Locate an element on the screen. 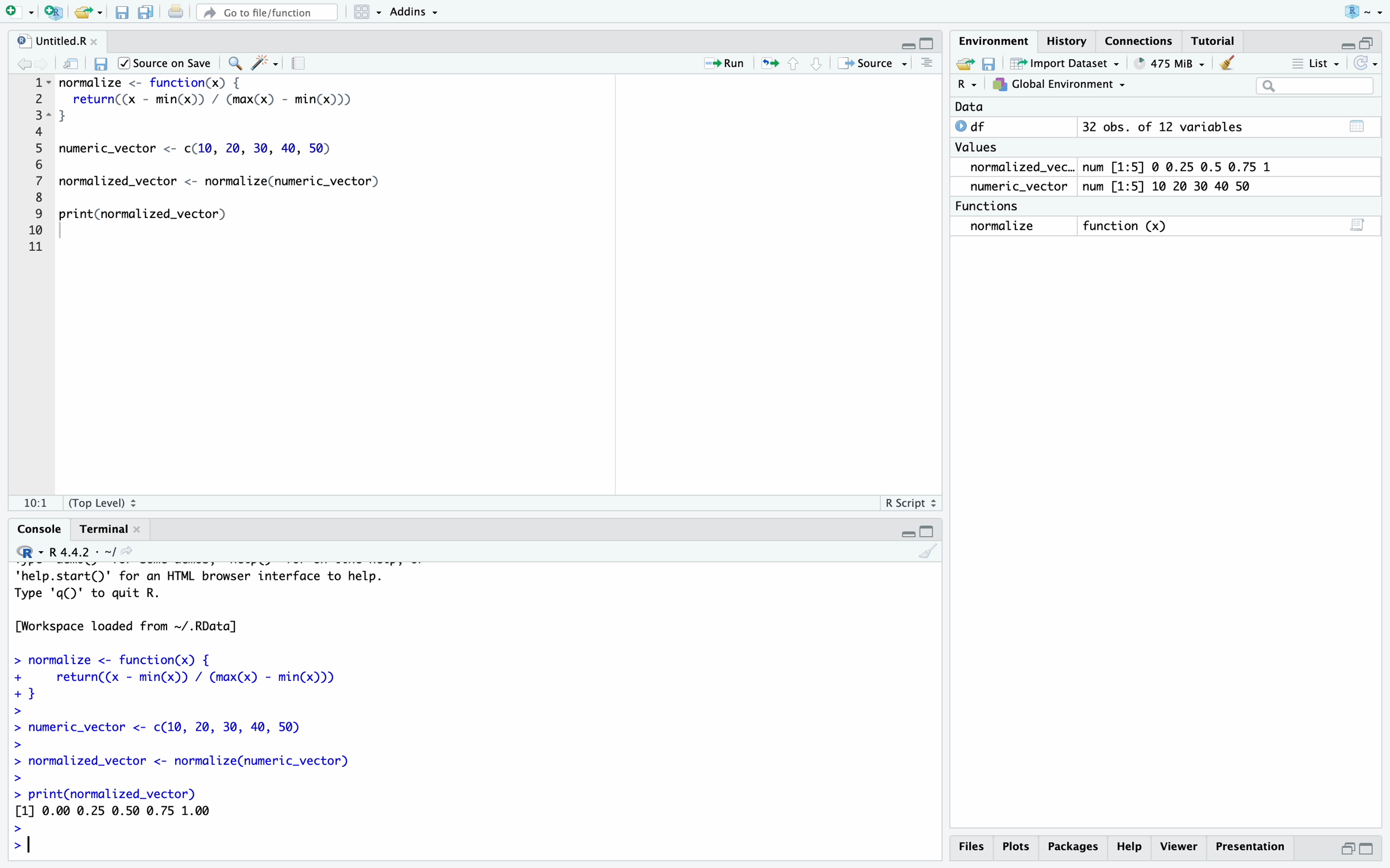 Image resolution: width=1390 pixels, height=868 pixels. Source on Save is located at coordinates (168, 64).